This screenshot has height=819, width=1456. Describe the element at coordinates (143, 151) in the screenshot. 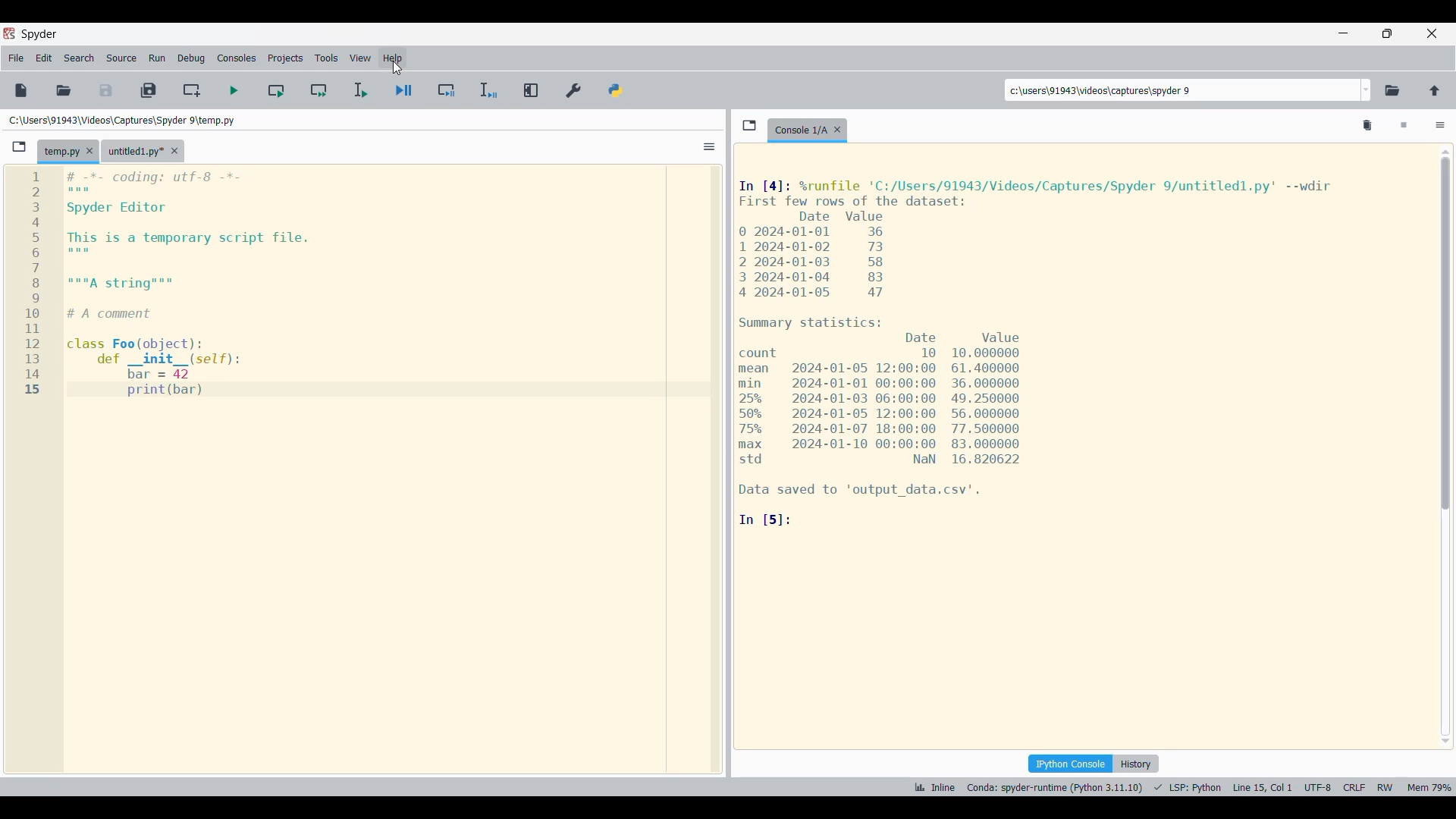

I see `Other tab` at that location.